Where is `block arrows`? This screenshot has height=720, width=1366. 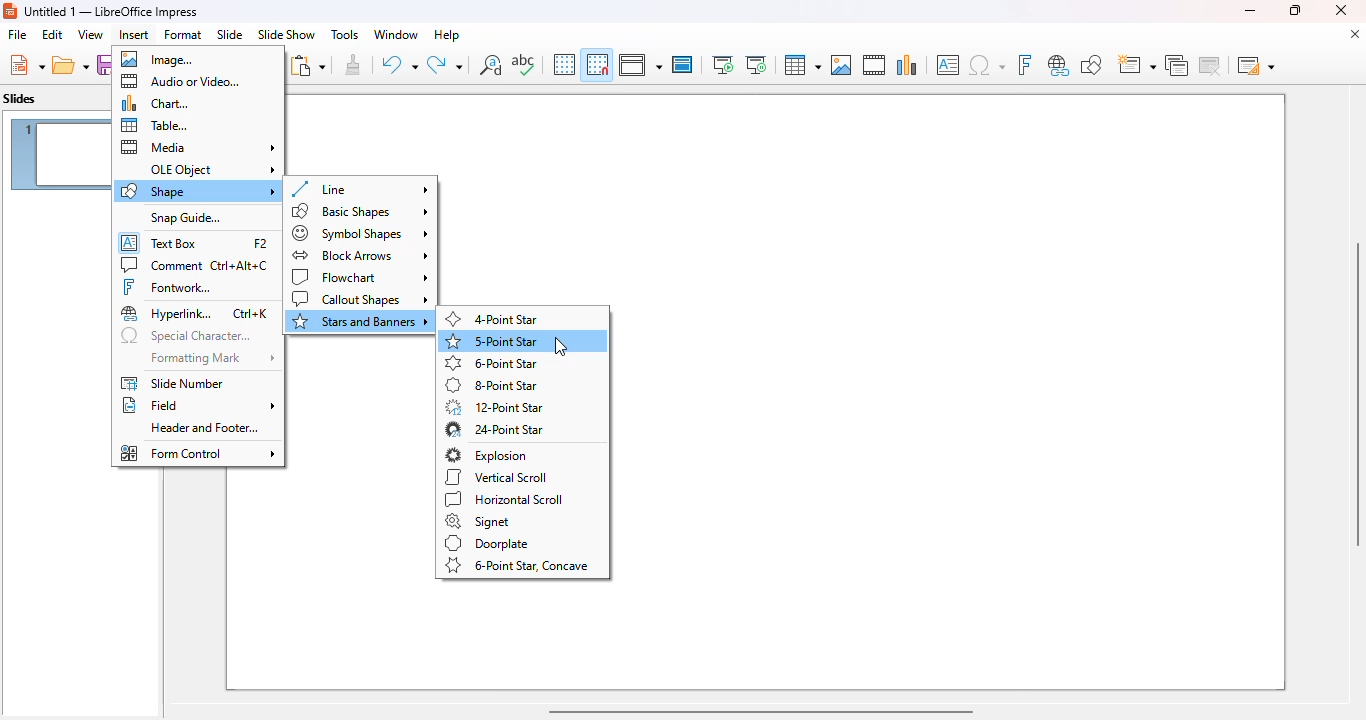 block arrows is located at coordinates (360, 255).